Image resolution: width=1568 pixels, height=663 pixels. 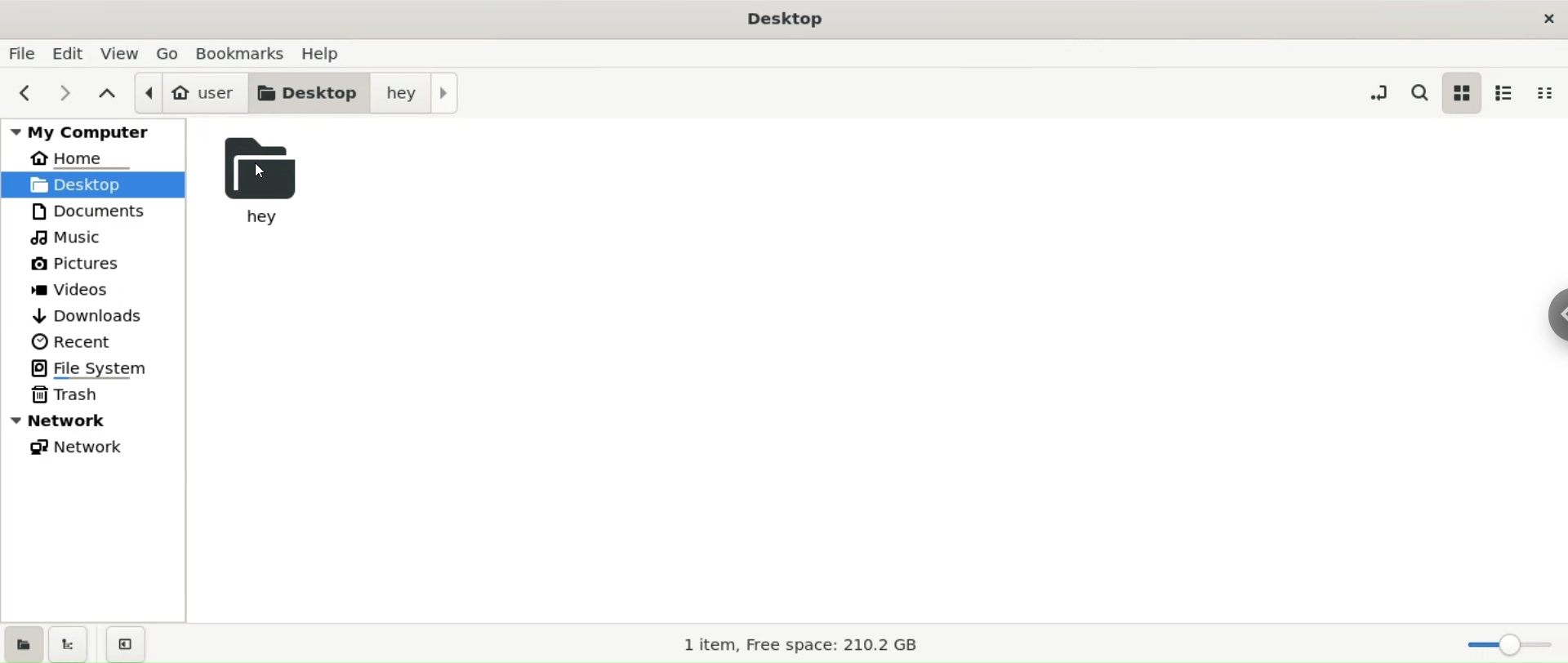 What do you see at coordinates (1379, 92) in the screenshot?
I see `toggle location entry` at bounding box center [1379, 92].